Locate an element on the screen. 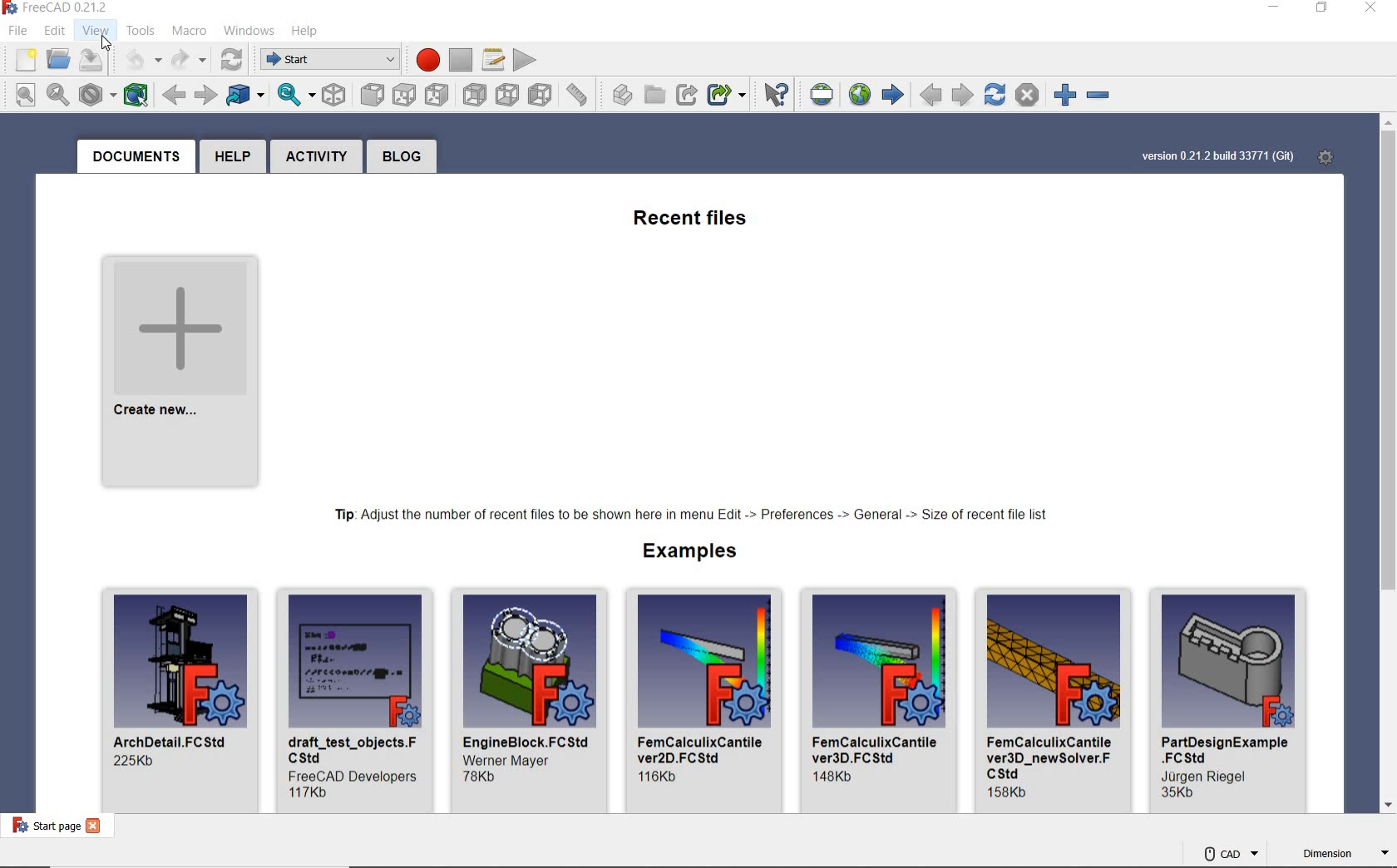  help is located at coordinates (305, 32).